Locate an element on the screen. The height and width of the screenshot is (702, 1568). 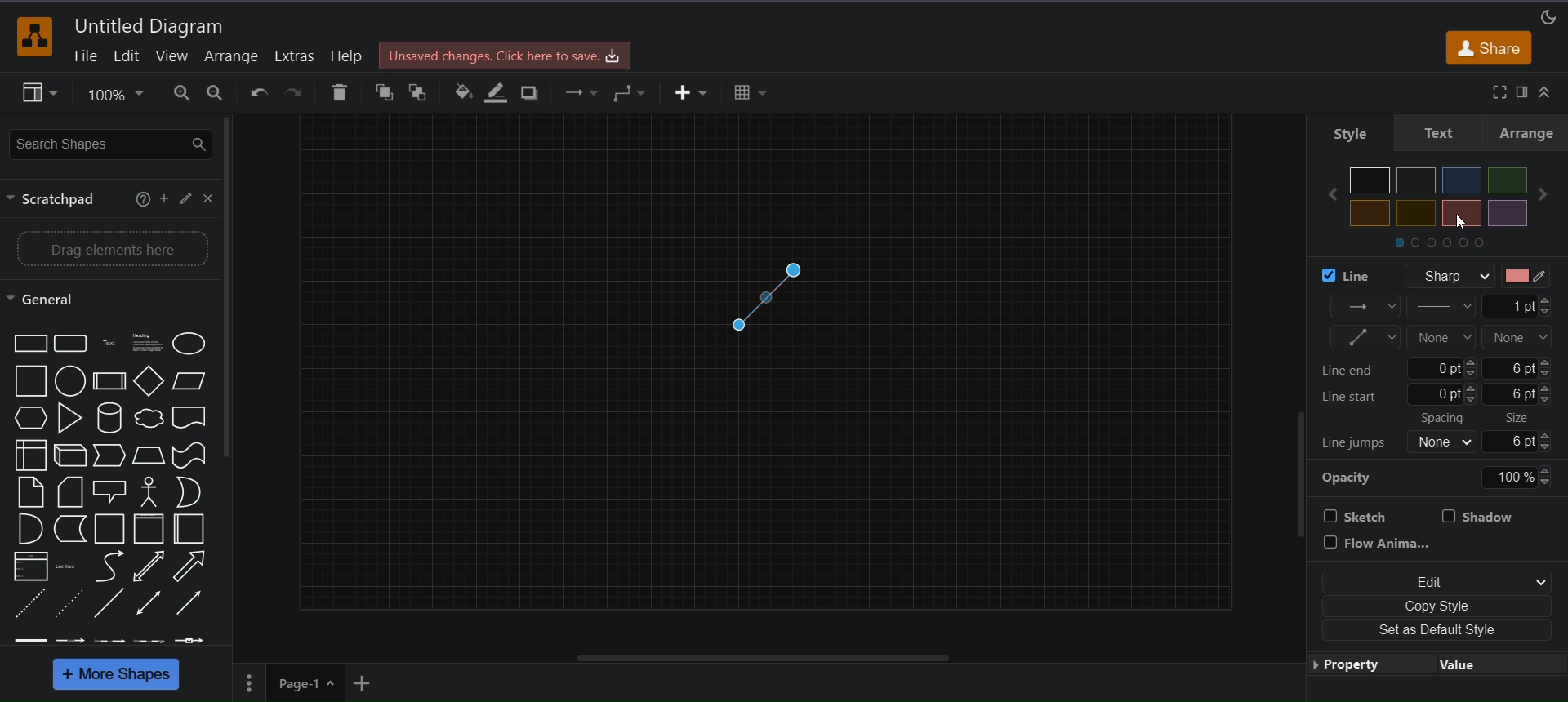
delete is located at coordinates (340, 91).